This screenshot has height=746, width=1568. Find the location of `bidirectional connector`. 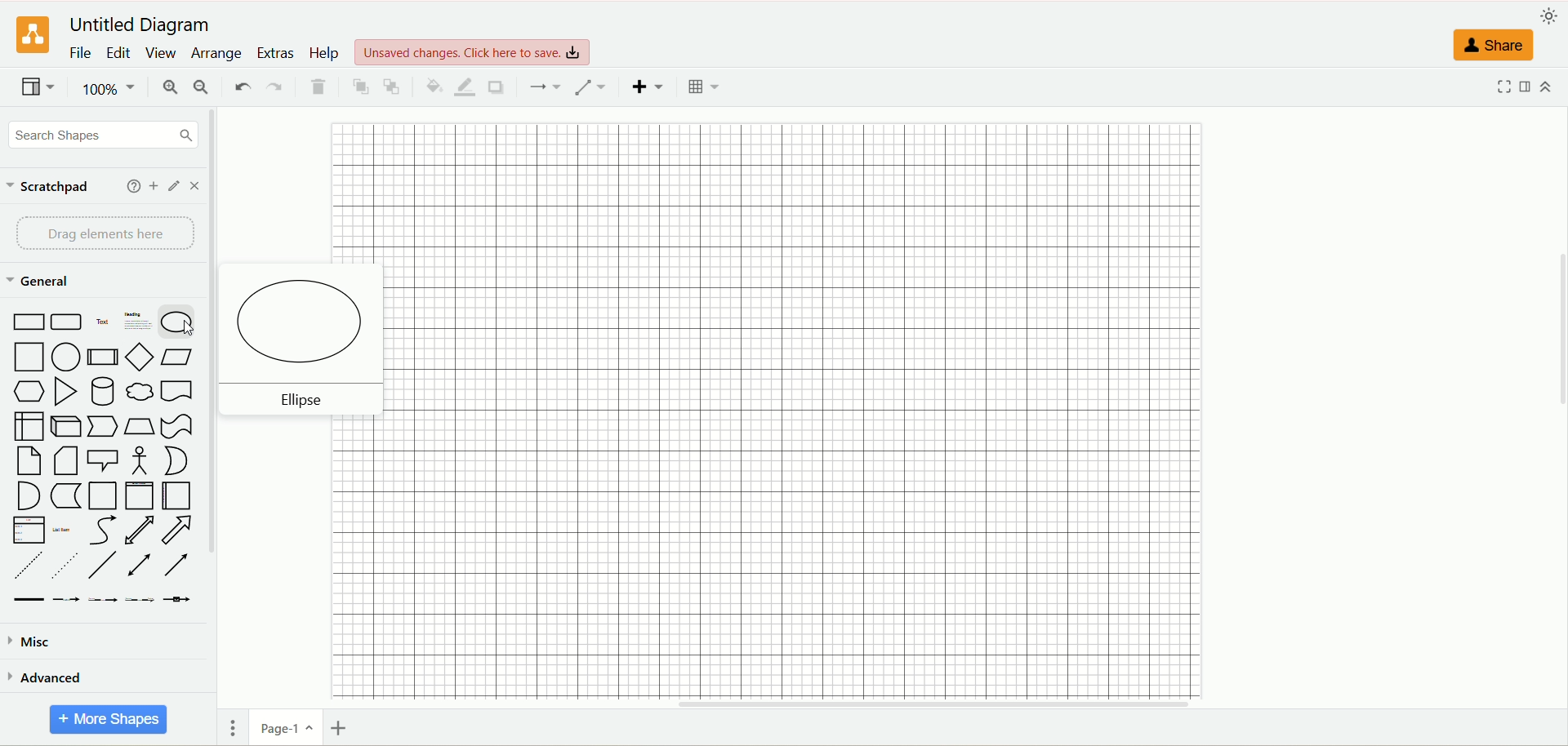

bidirectional connector is located at coordinates (140, 565).